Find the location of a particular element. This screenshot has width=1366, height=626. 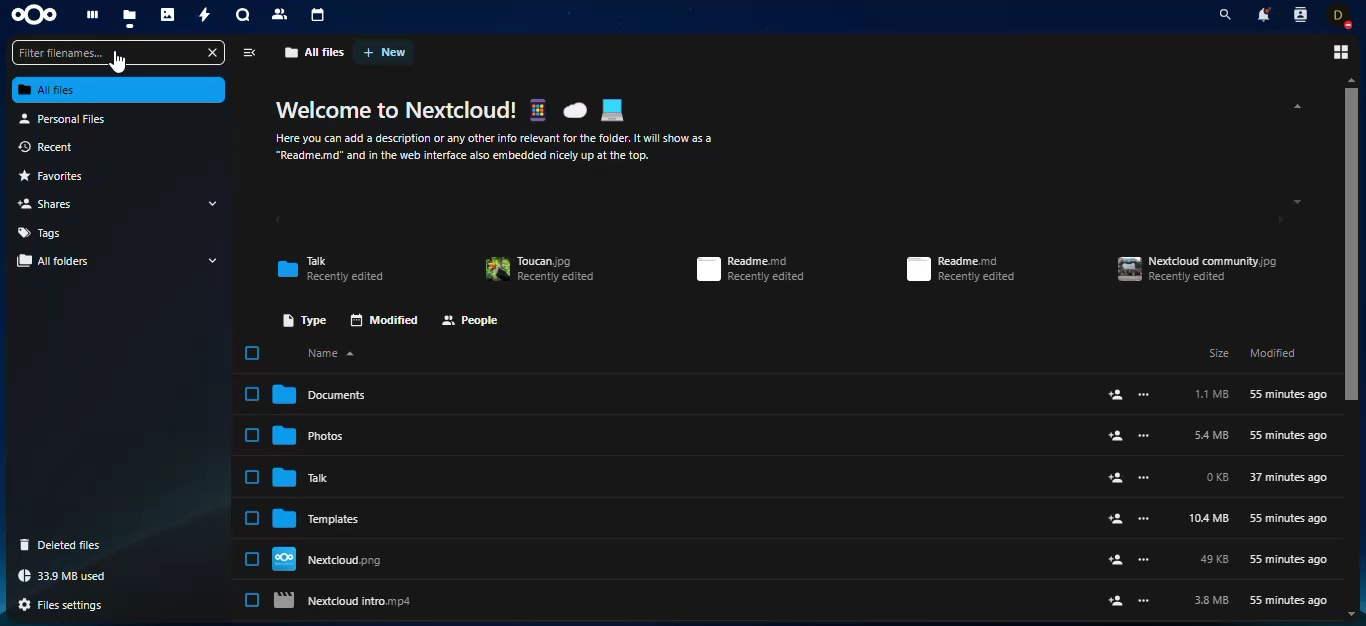

nextcloud logo is located at coordinates (34, 16).